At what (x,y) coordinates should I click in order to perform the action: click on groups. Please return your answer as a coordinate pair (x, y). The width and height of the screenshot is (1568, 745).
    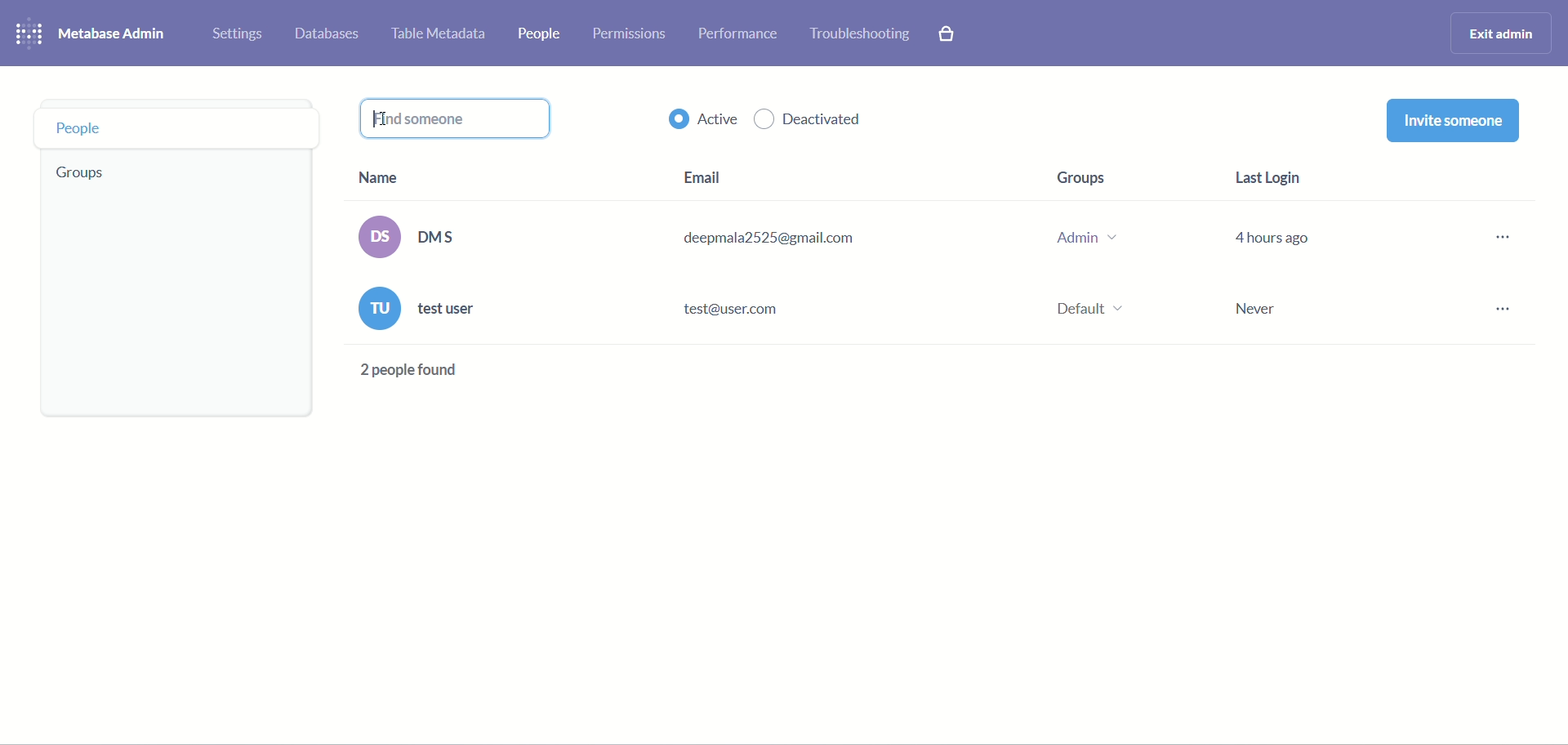
    Looking at the image, I should click on (1086, 259).